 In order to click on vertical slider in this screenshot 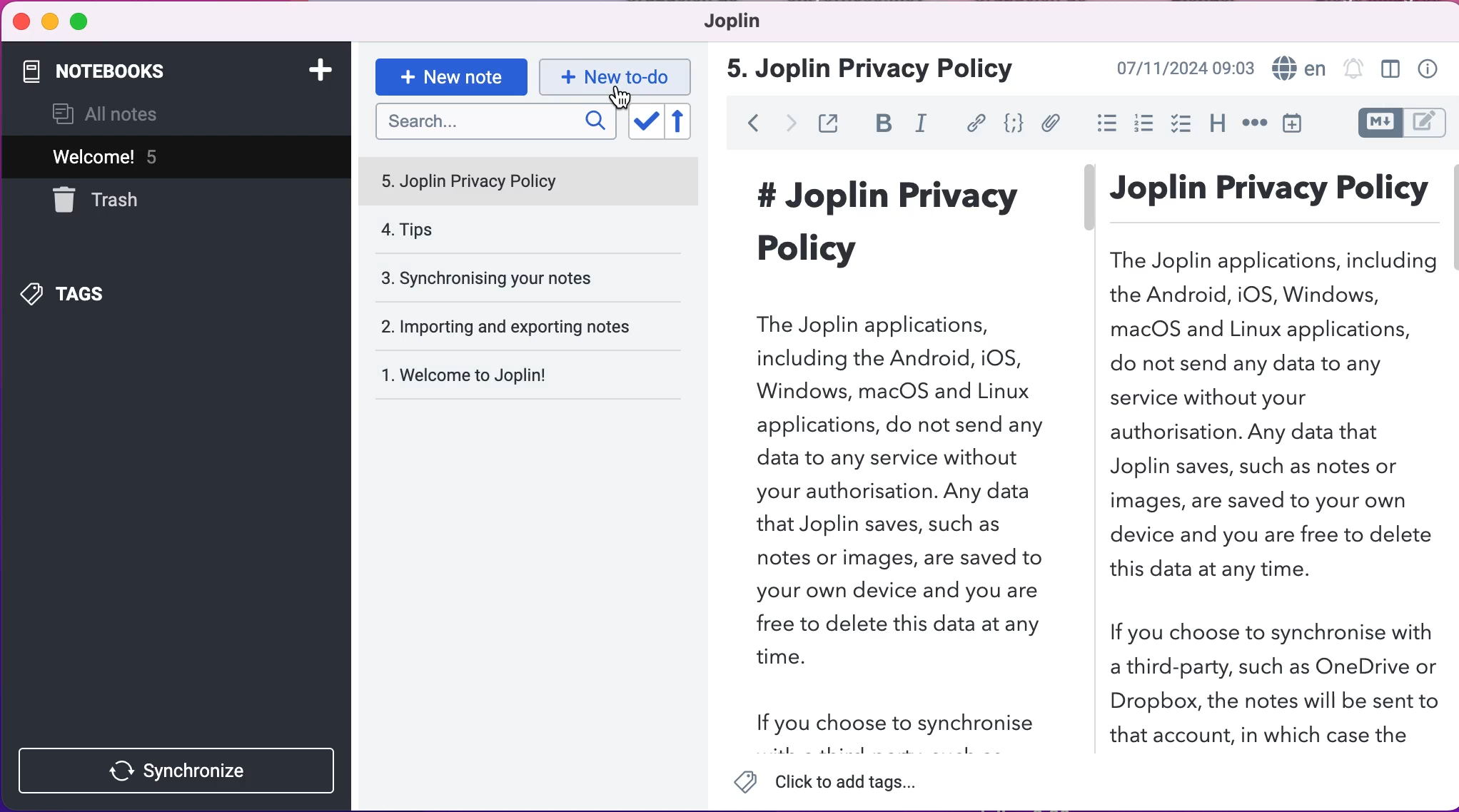, I will do `click(1089, 210)`.